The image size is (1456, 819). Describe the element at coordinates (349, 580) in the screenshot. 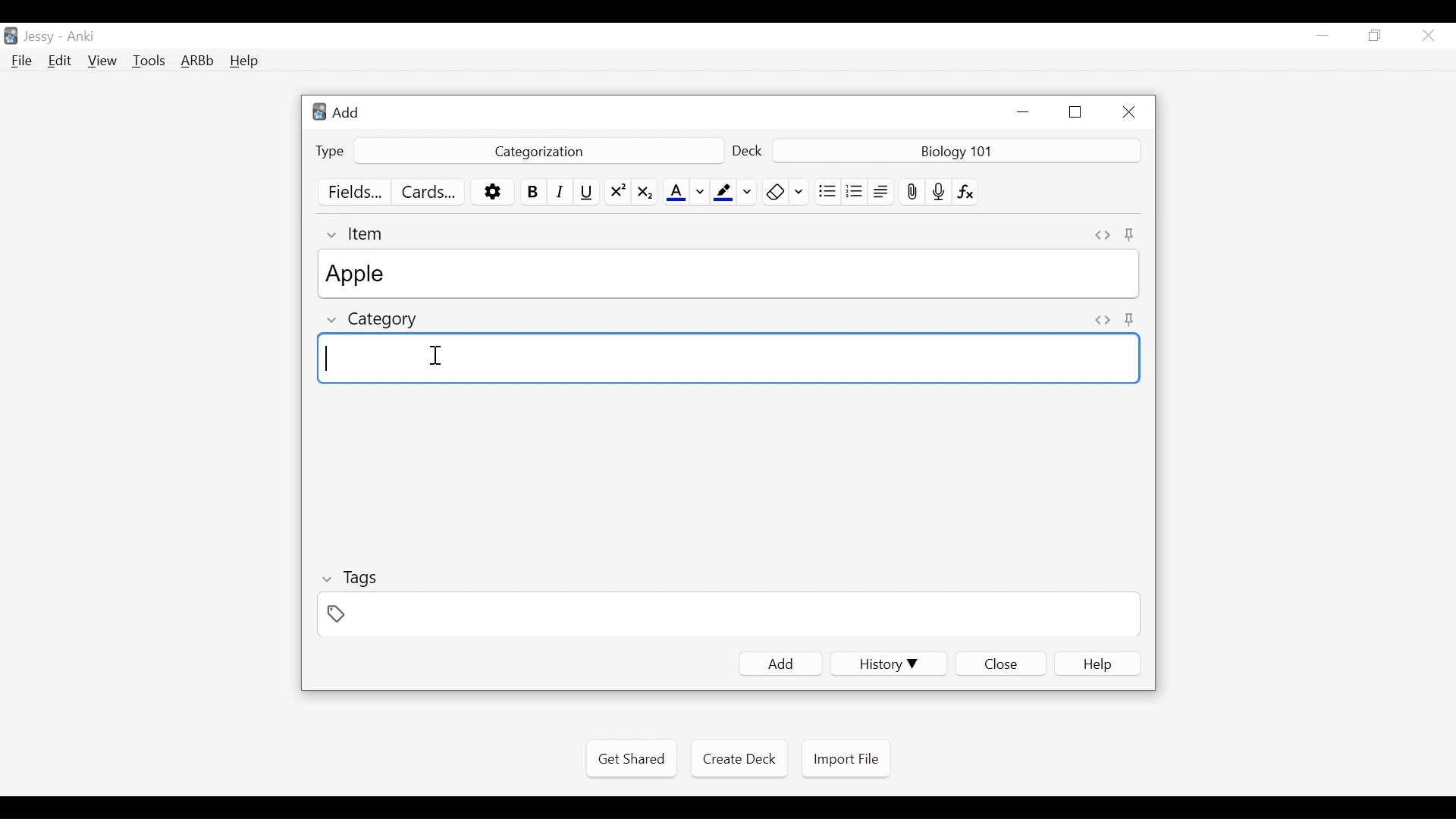

I see `Tags` at that location.